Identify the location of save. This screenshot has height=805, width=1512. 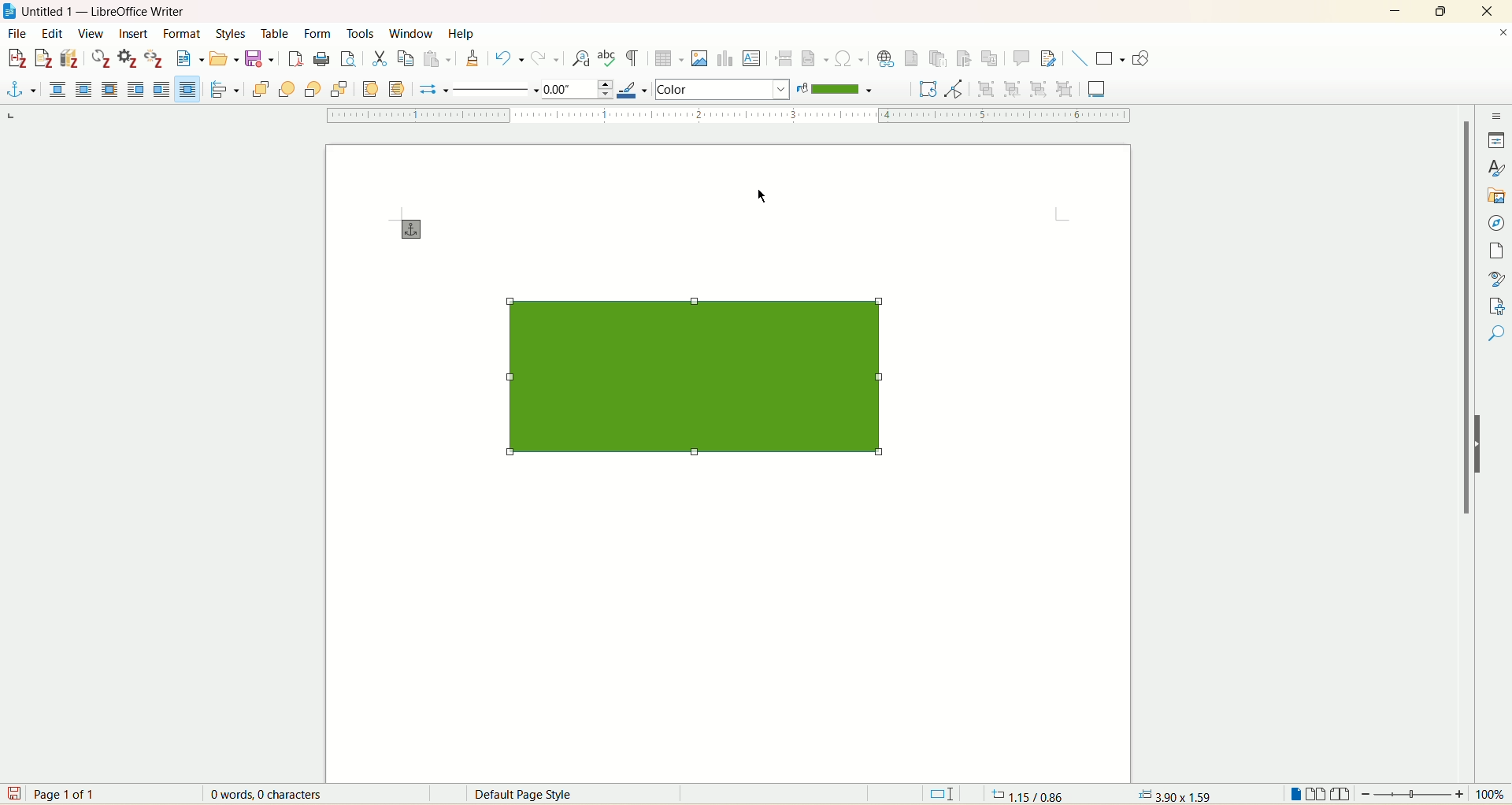
(13, 793).